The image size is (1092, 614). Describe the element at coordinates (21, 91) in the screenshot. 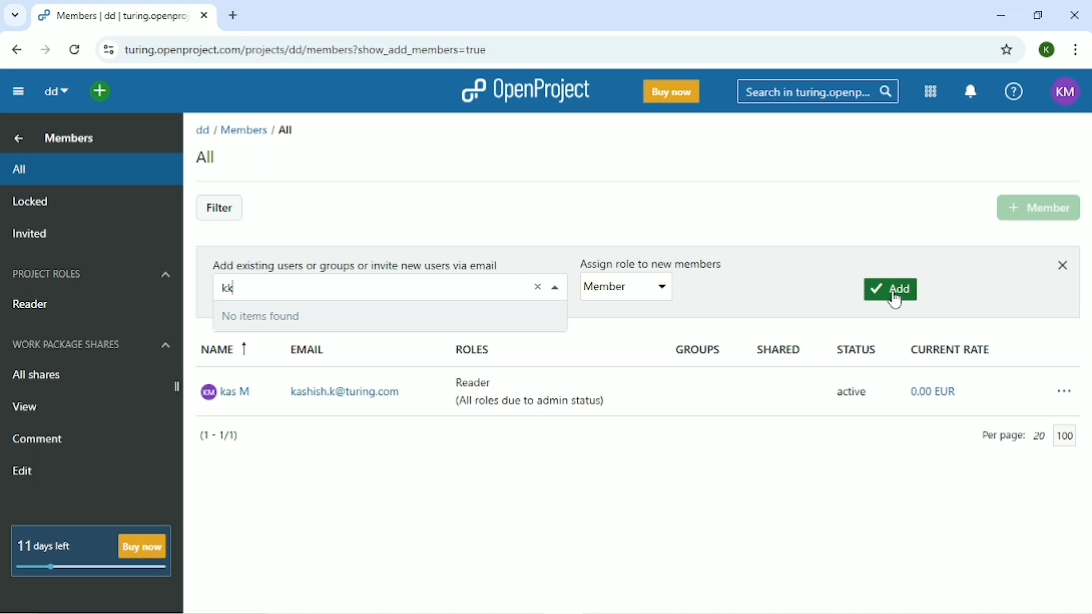

I see `Collapse project menu` at that location.